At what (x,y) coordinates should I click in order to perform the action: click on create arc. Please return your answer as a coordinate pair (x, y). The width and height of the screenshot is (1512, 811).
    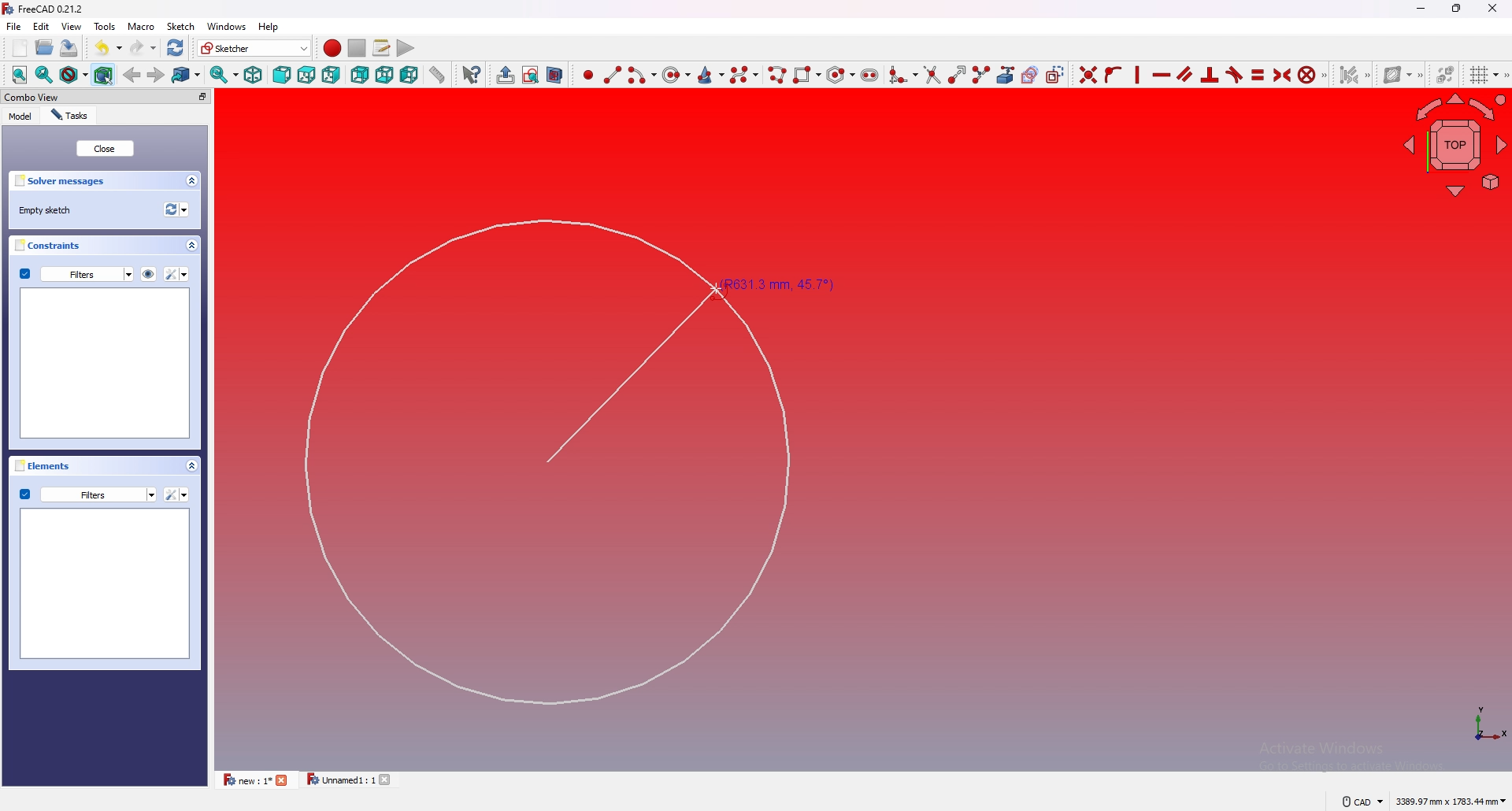
    Looking at the image, I should click on (640, 74).